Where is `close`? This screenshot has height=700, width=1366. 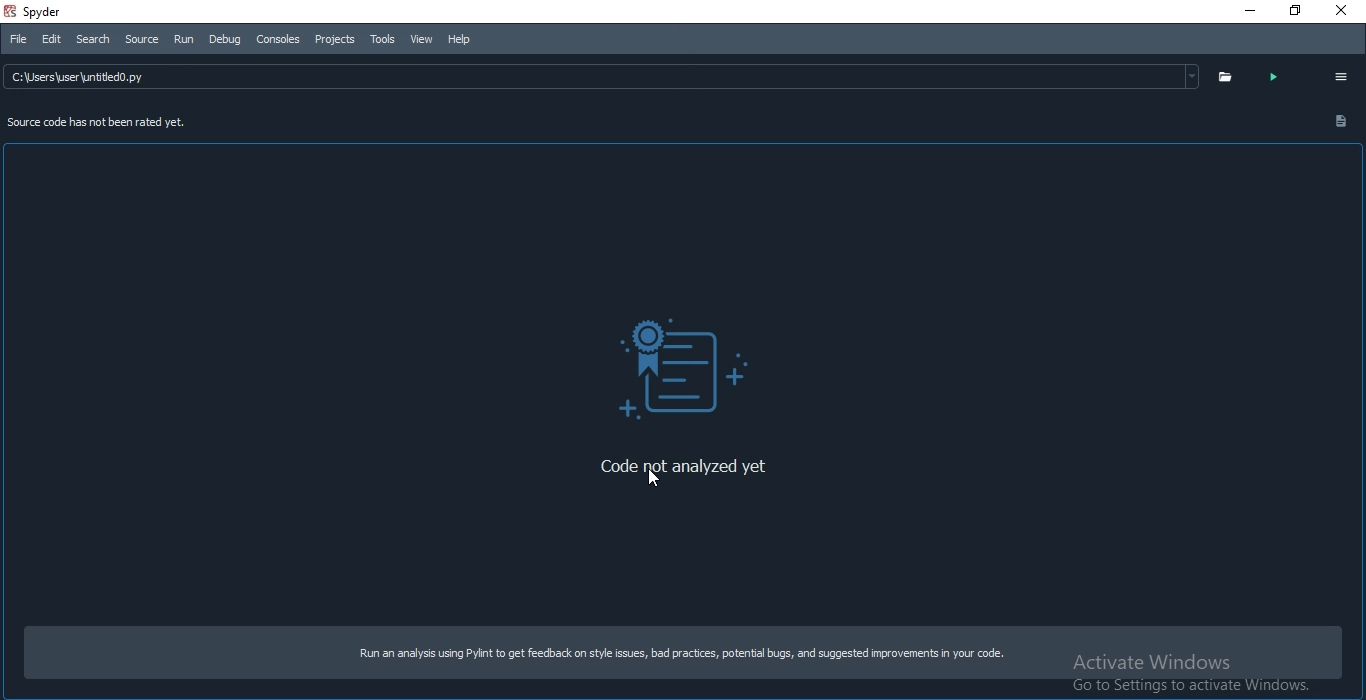 close is located at coordinates (1346, 10).